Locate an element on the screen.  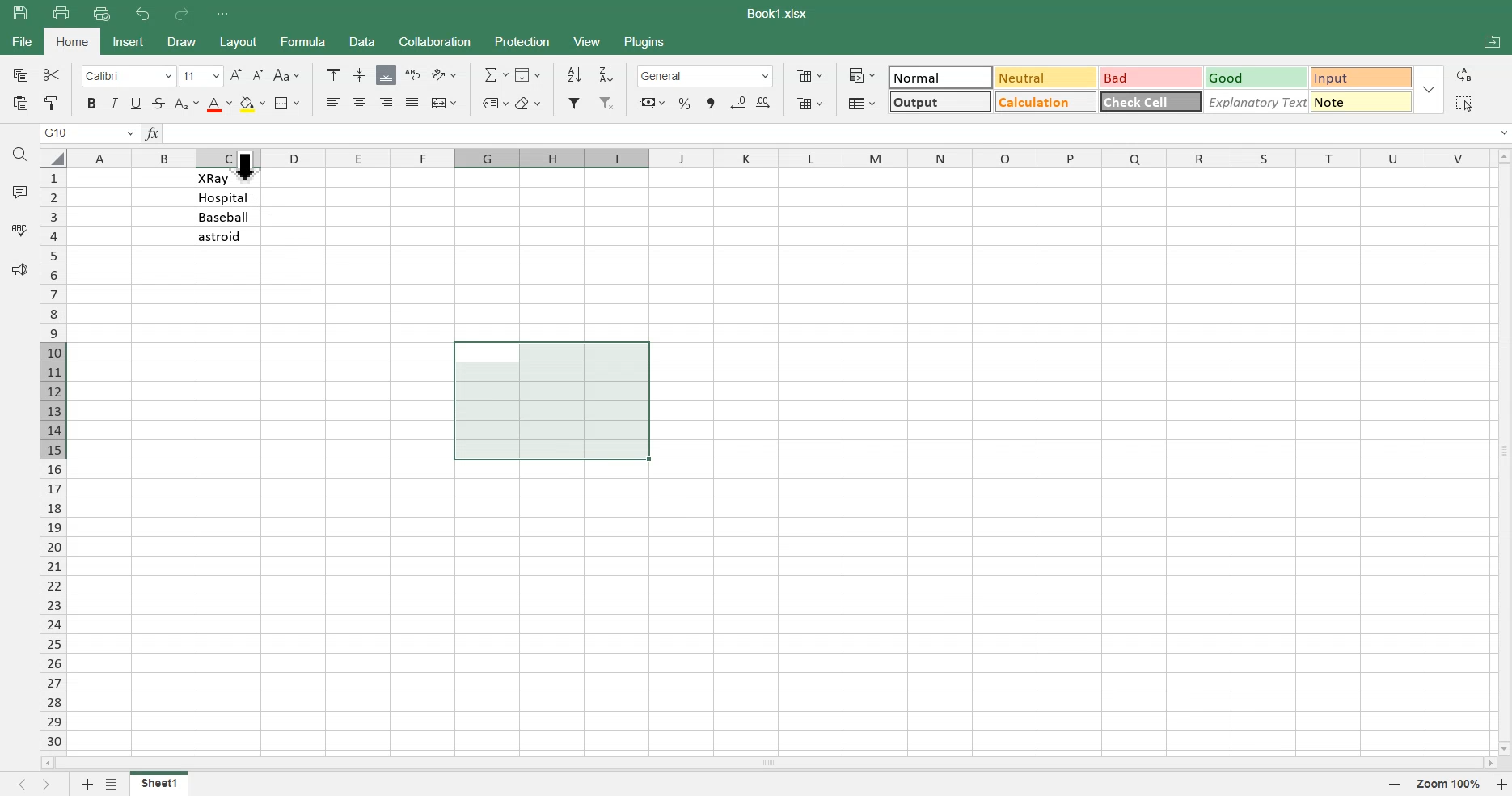
Normal is located at coordinates (939, 77).